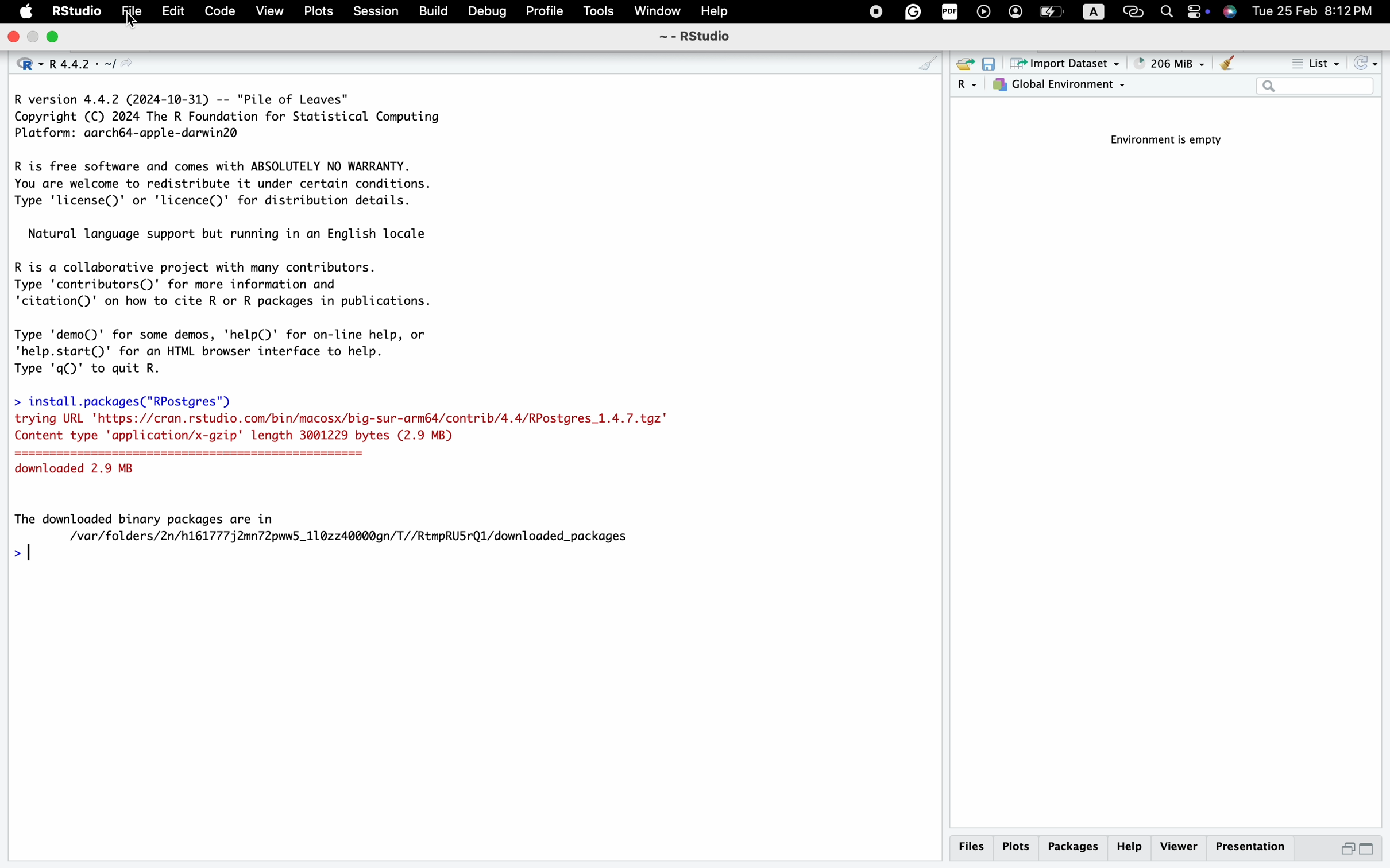  What do you see at coordinates (913, 12) in the screenshot?
I see `grammarly` at bounding box center [913, 12].